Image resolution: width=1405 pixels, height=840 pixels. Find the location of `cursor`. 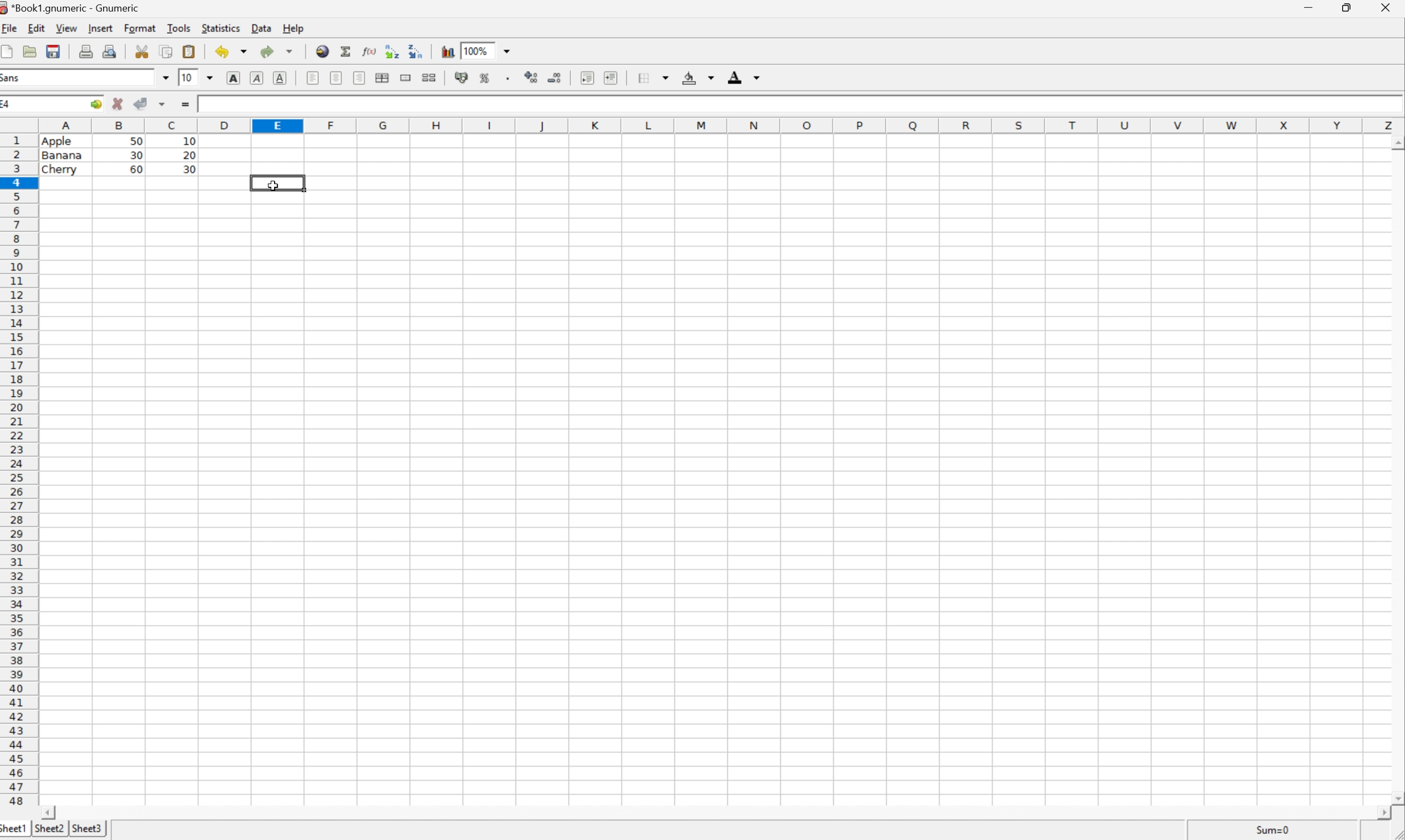

cursor is located at coordinates (274, 185).